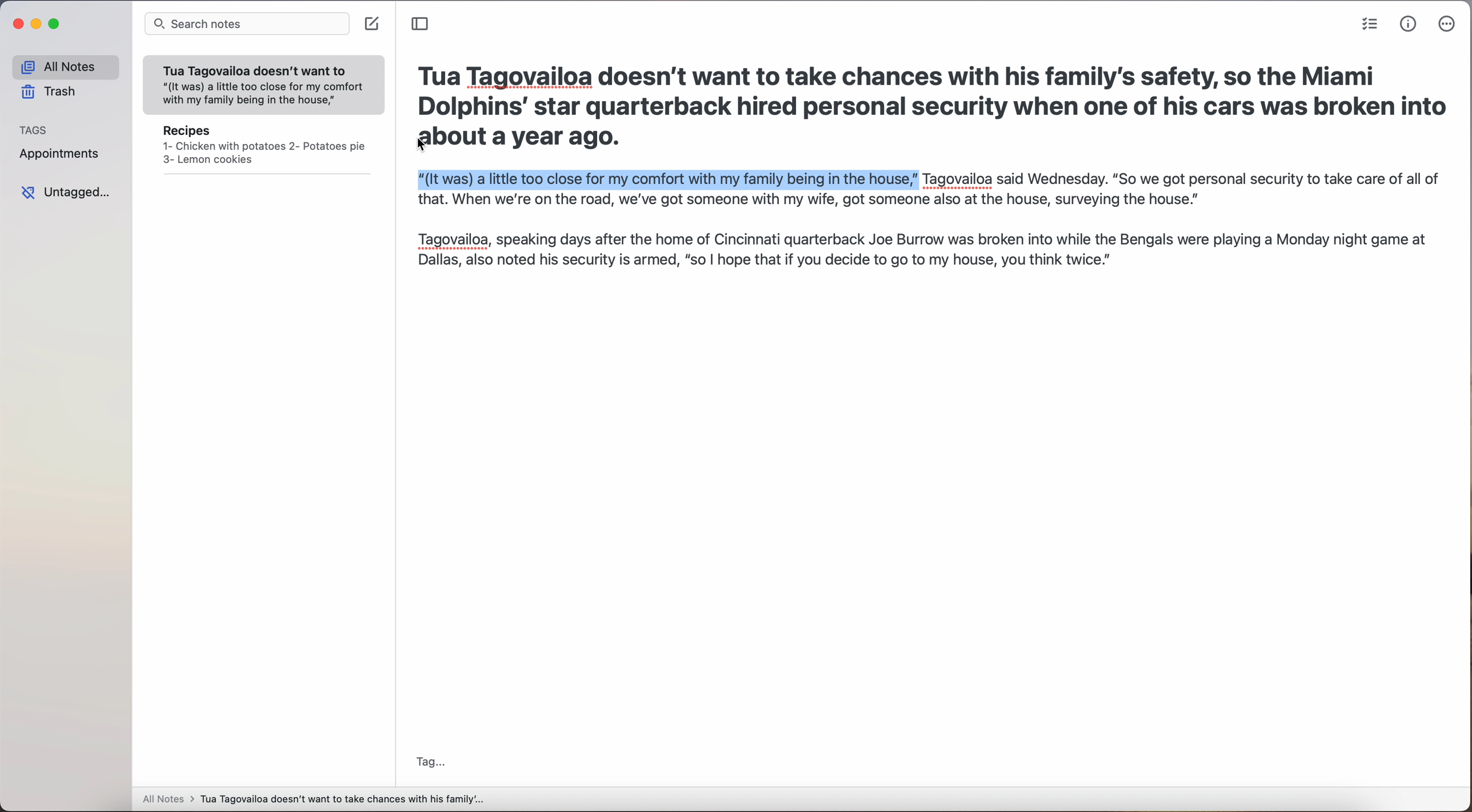 This screenshot has width=1472, height=812. I want to click on all notes > Tua Tagovailoa doesn't want to take chances with his family', so click(314, 801).